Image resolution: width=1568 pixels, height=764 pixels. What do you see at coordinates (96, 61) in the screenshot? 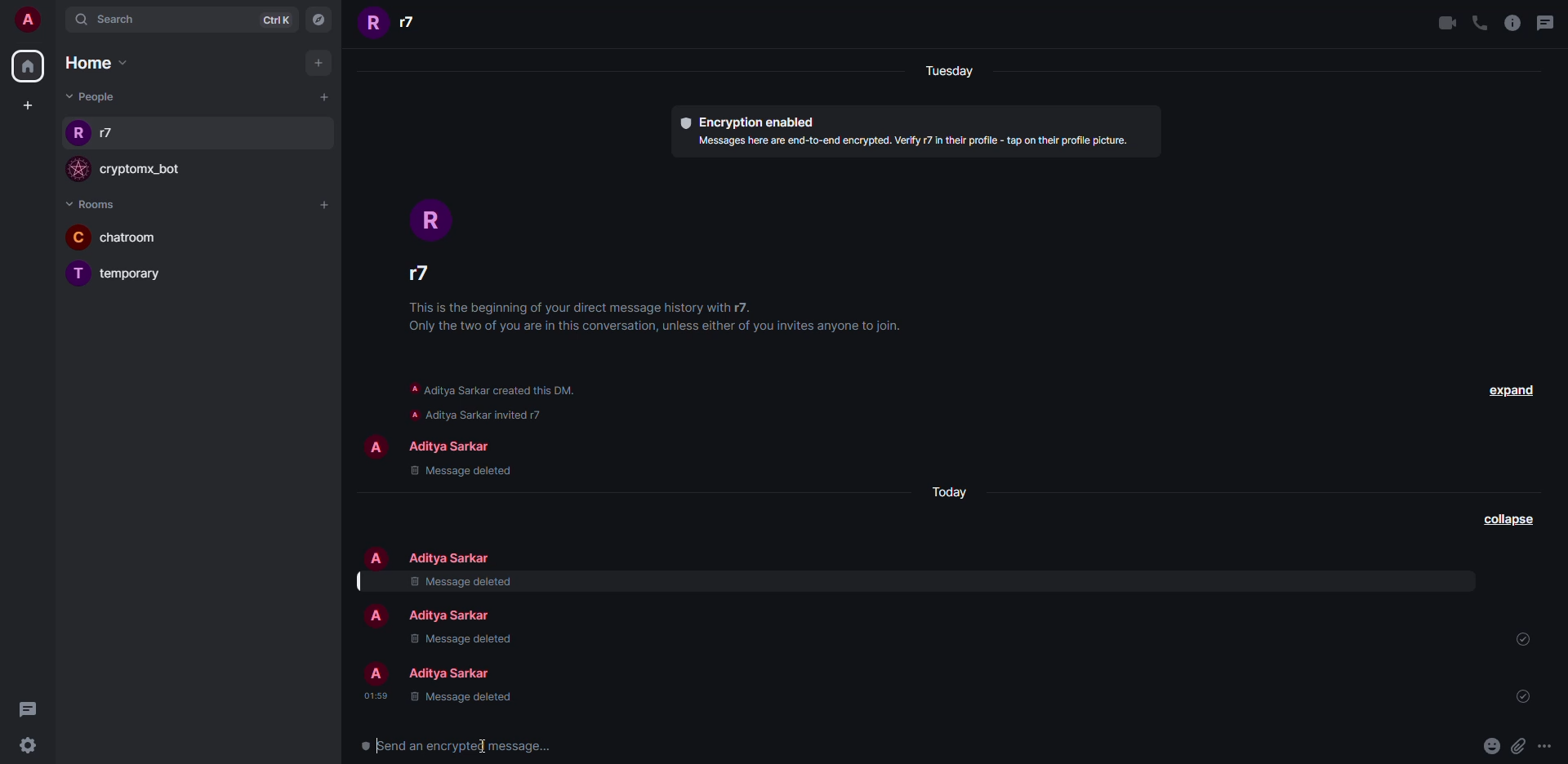
I see `home` at bounding box center [96, 61].